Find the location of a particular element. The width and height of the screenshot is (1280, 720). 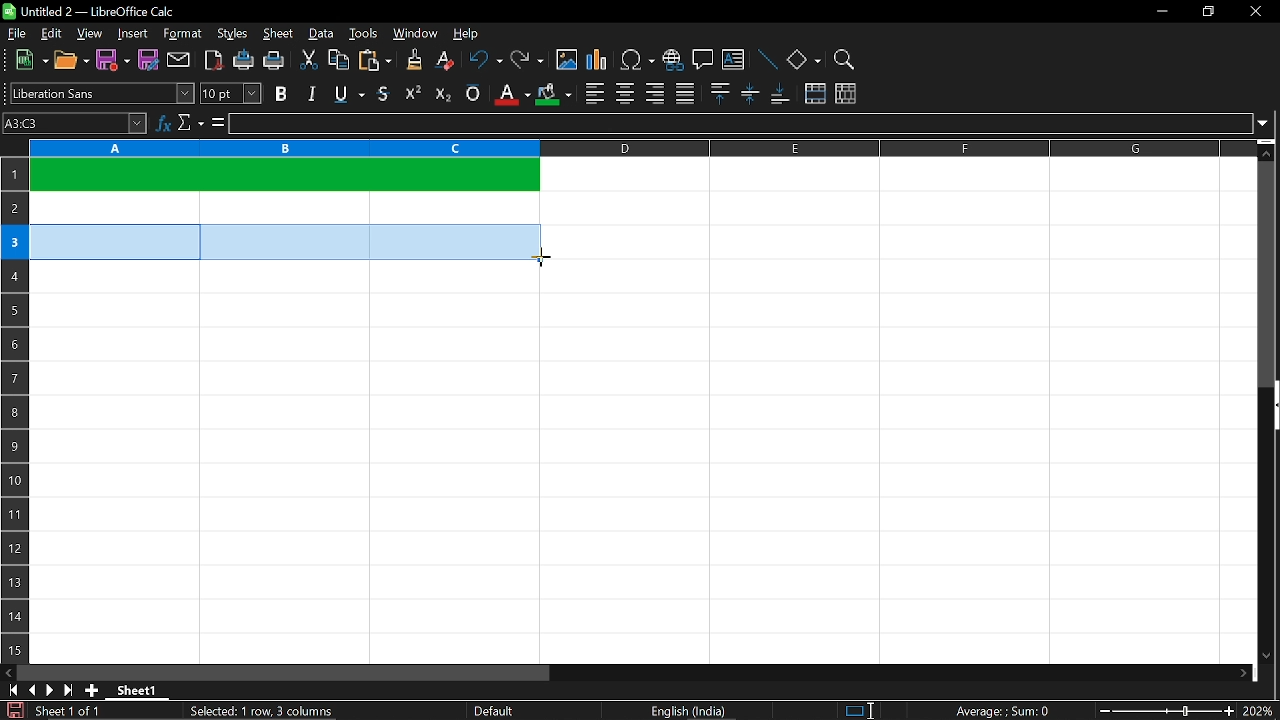

print directly is located at coordinates (242, 61).